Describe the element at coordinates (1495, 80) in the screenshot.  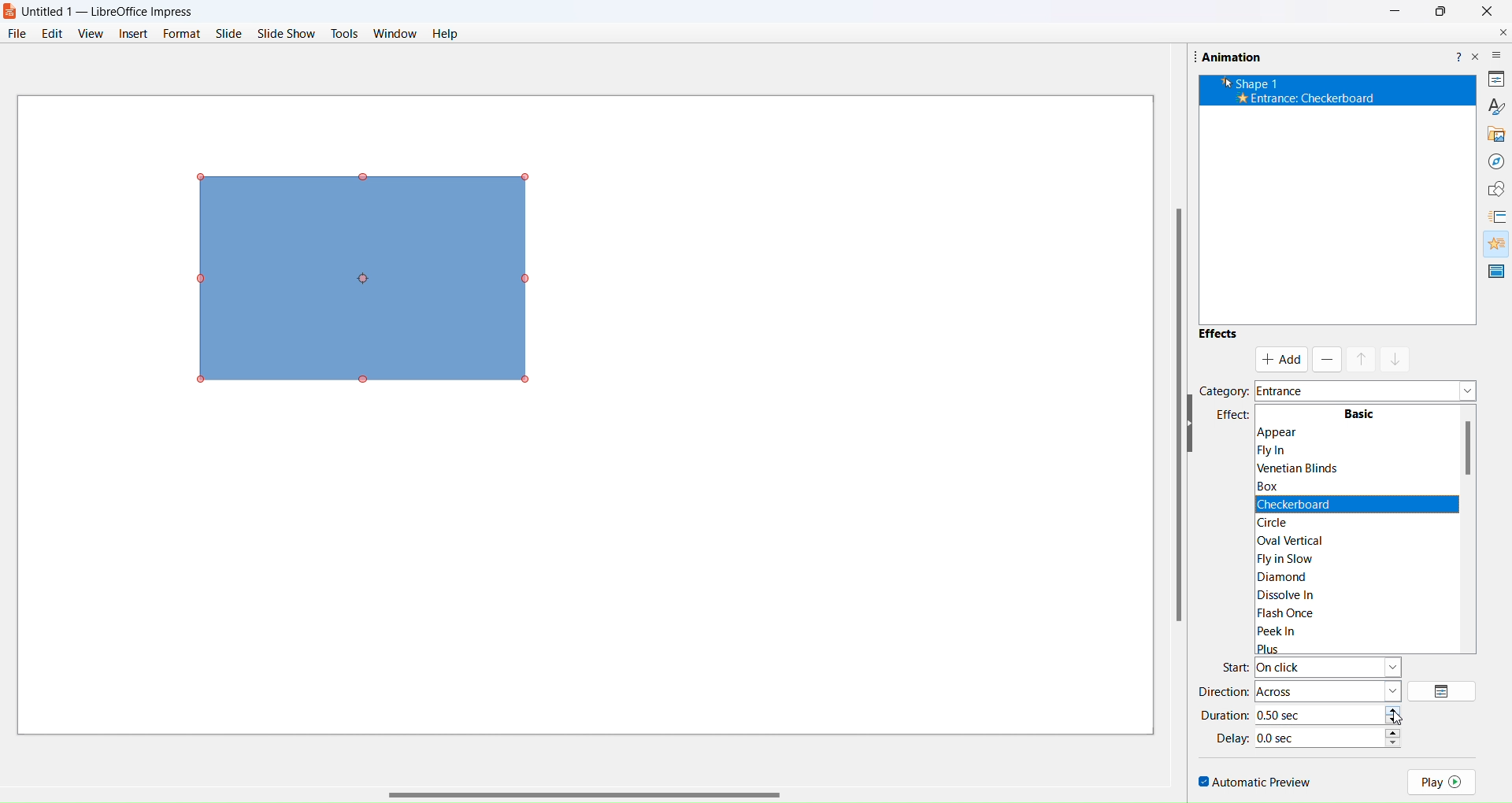
I see `properties` at that location.